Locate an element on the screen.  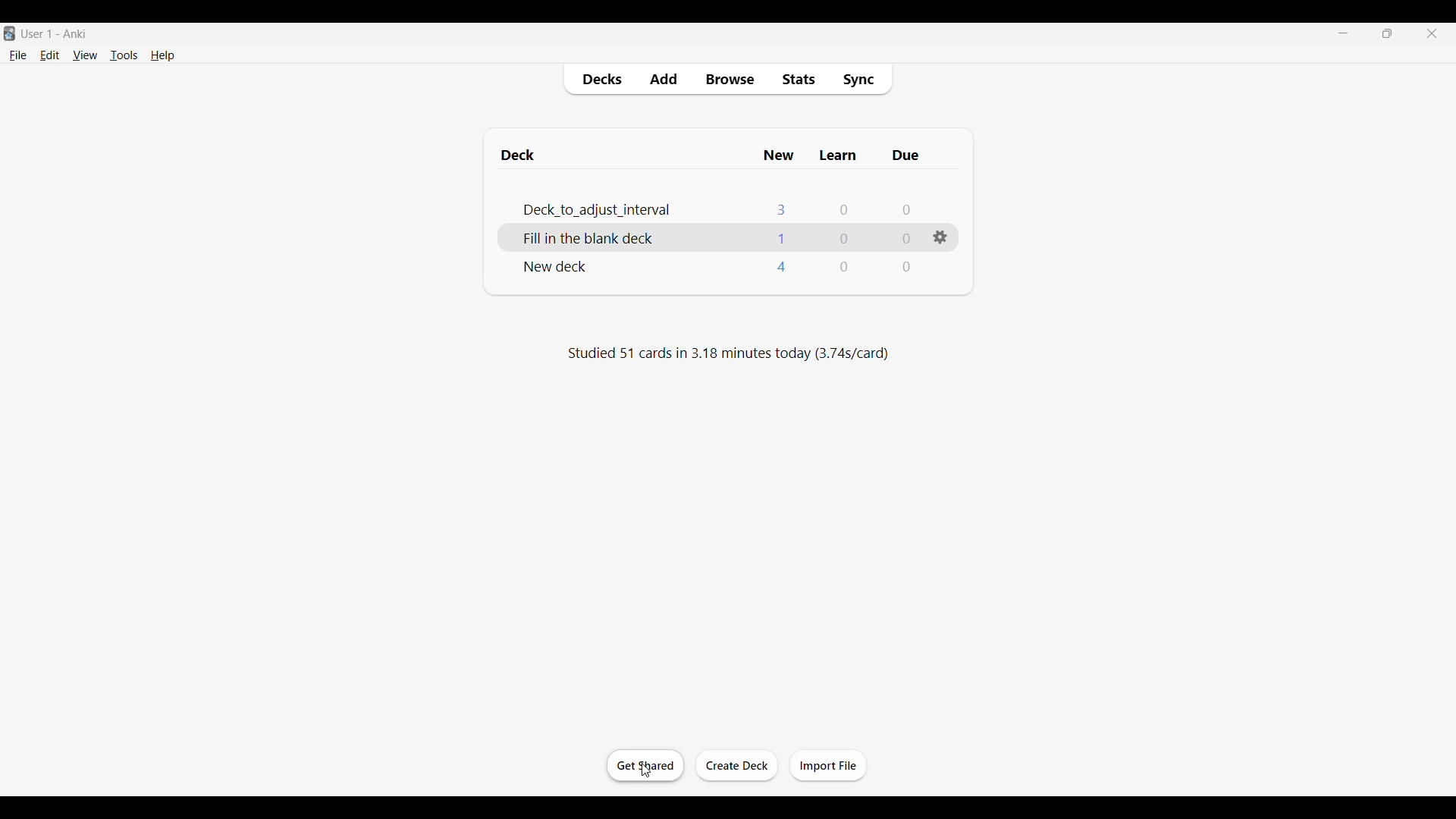
Deck column is located at coordinates (626, 158).